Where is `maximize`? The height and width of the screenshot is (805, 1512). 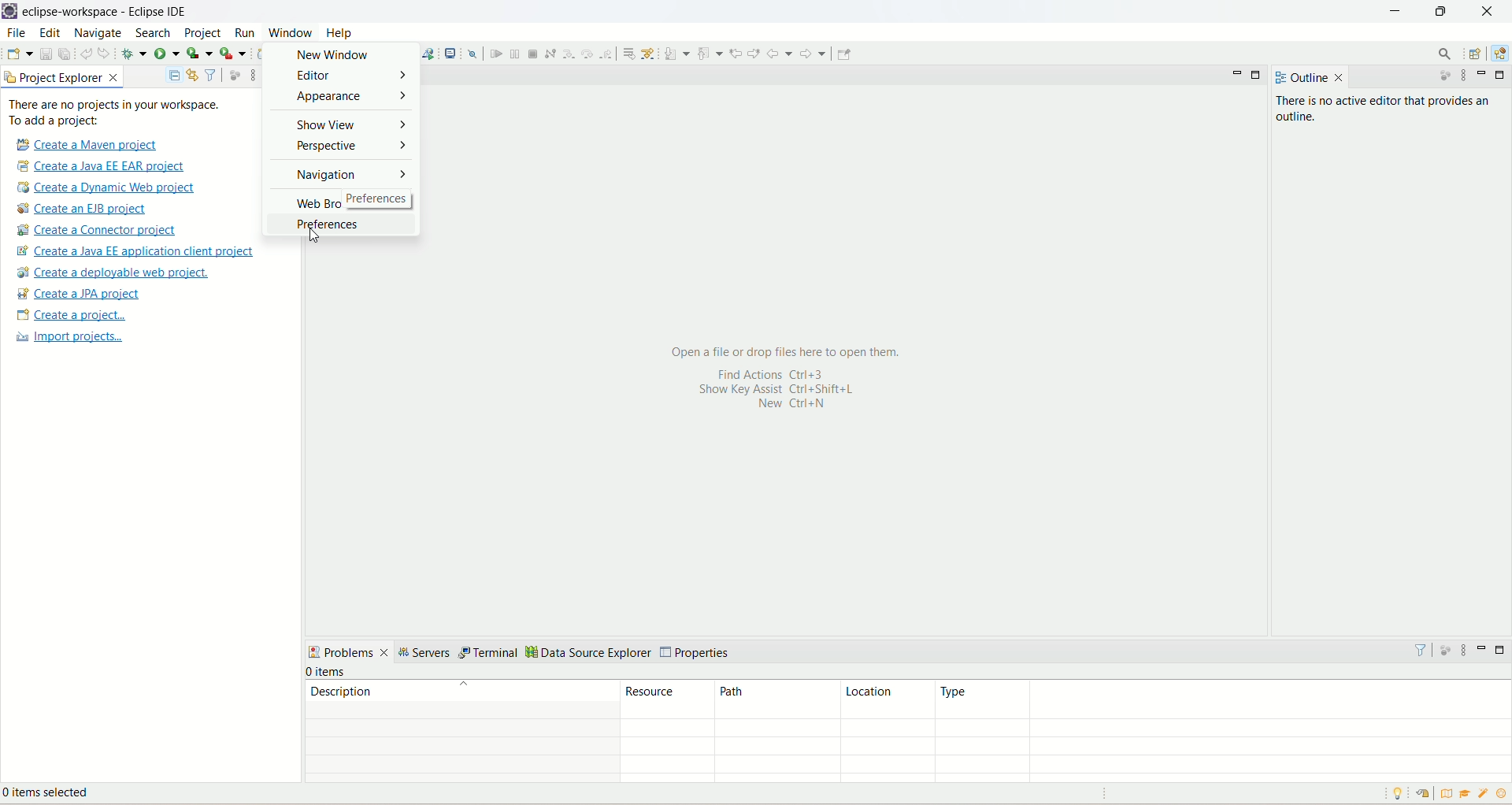
maximize is located at coordinates (1444, 14).